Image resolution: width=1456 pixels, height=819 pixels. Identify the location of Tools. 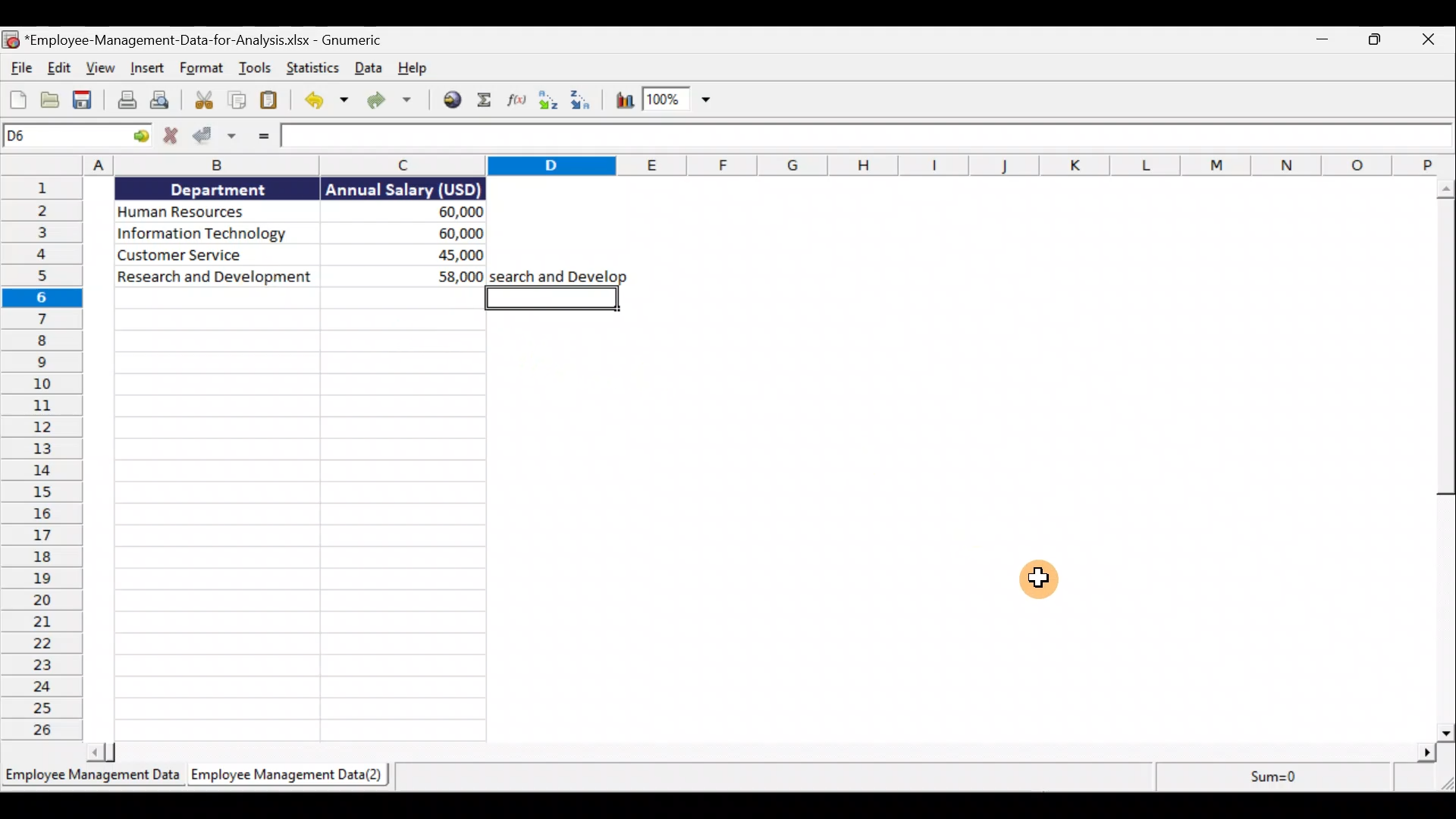
(257, 69).